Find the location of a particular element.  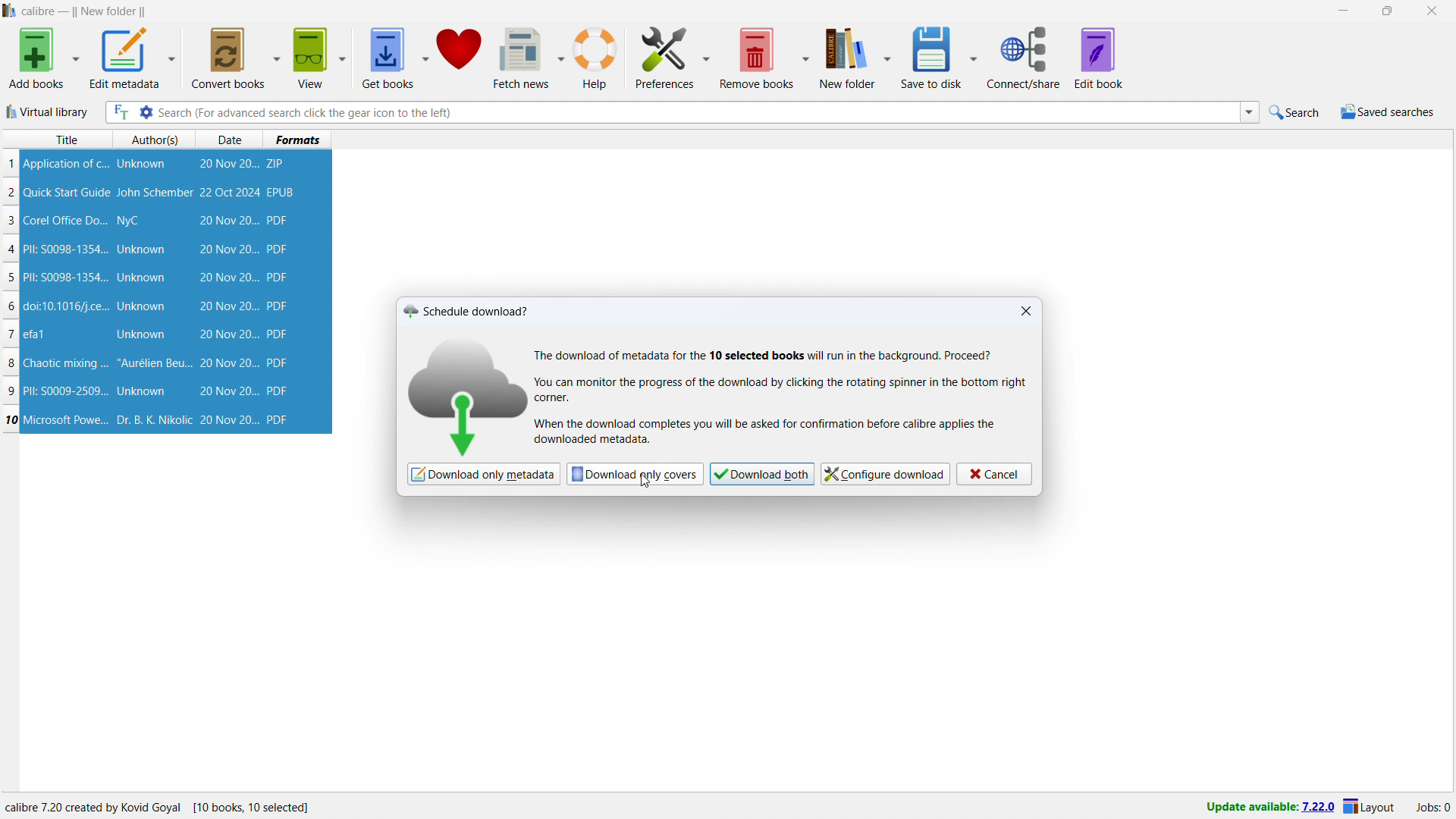

20 Nov 20... is located at coordinates (229, 165).